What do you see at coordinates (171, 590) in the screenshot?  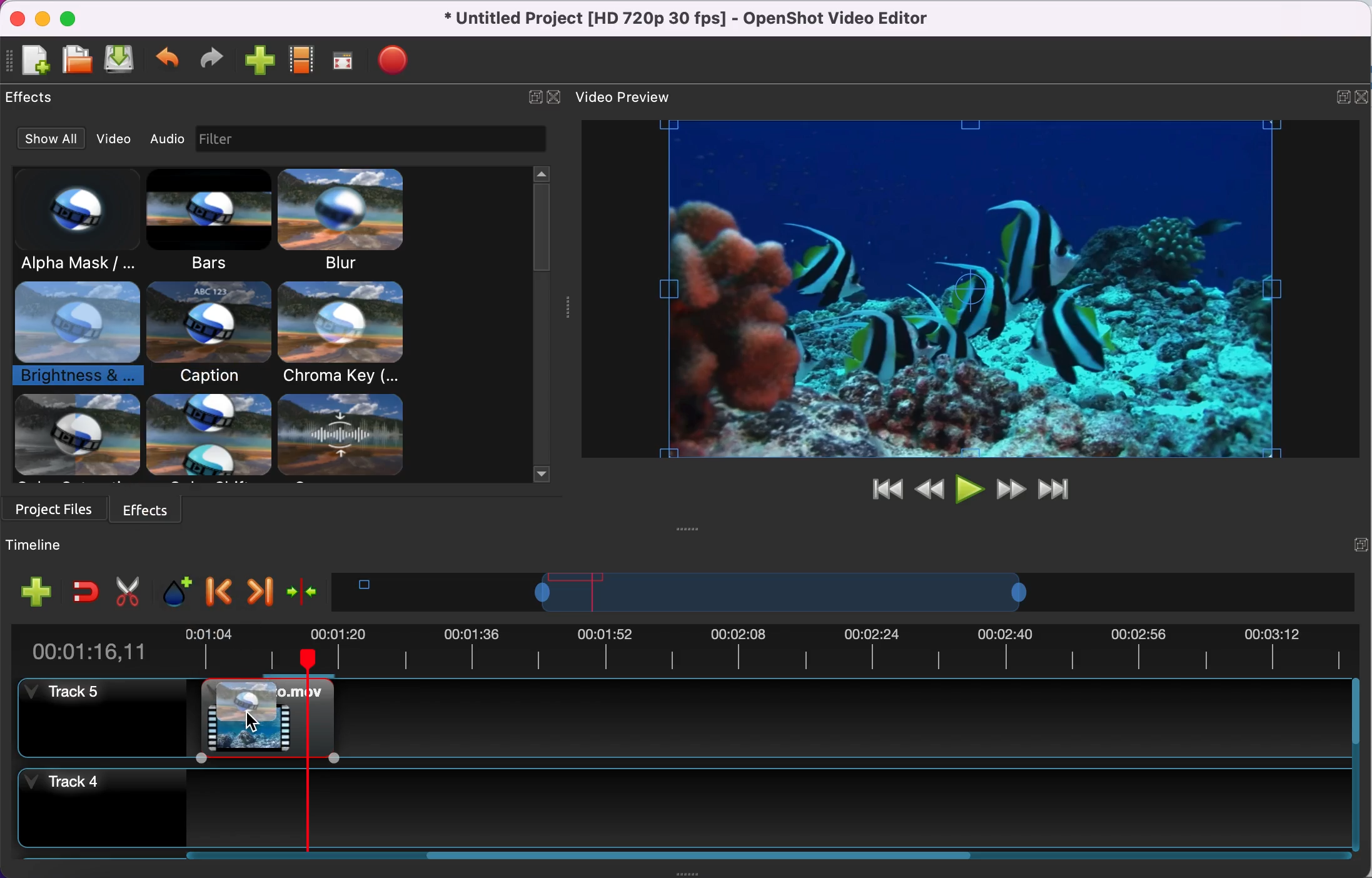 I see `add marker` at bounding box center [171, 590].